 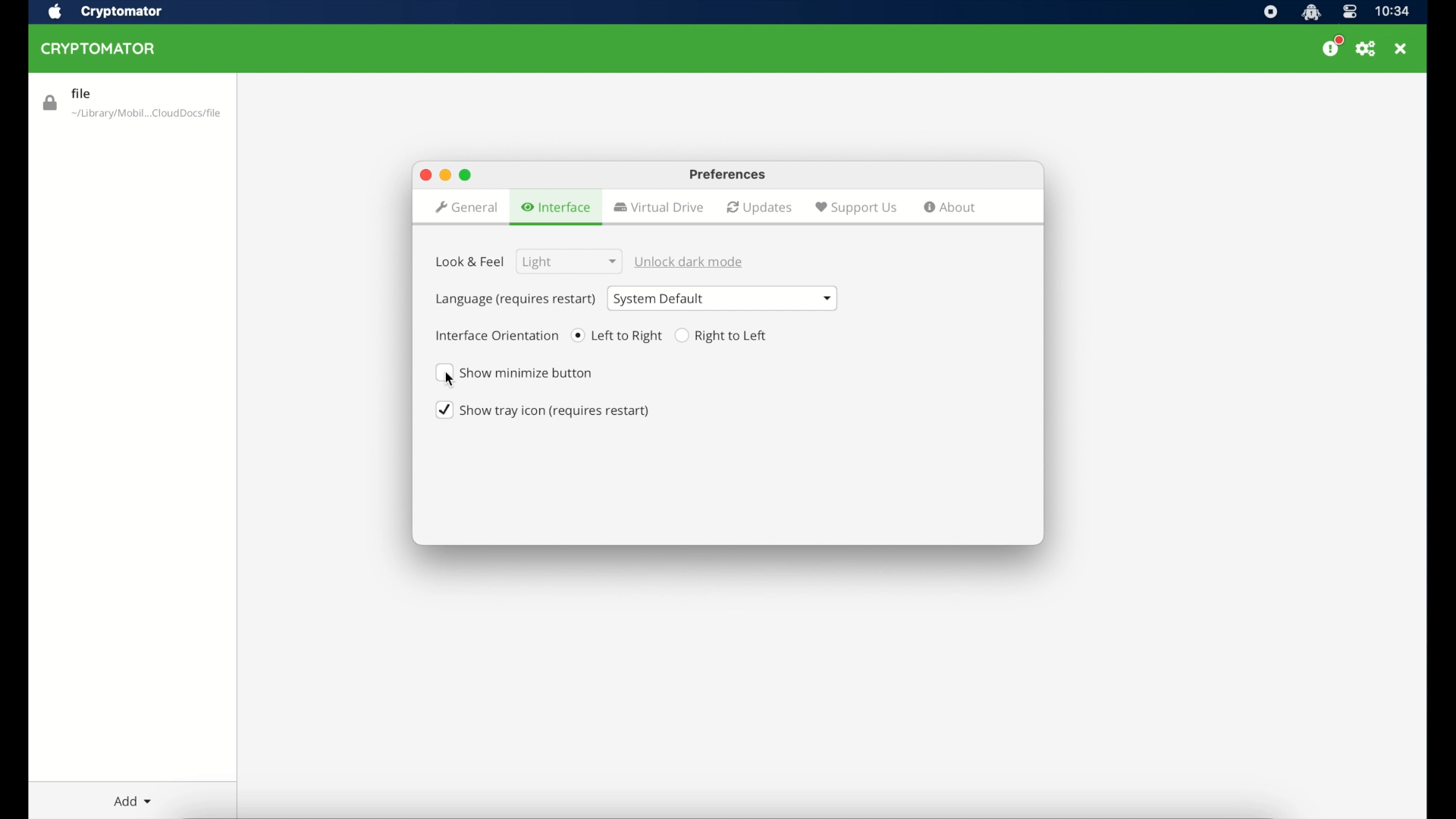 I want to click on interface, so click(x=558, y=208).